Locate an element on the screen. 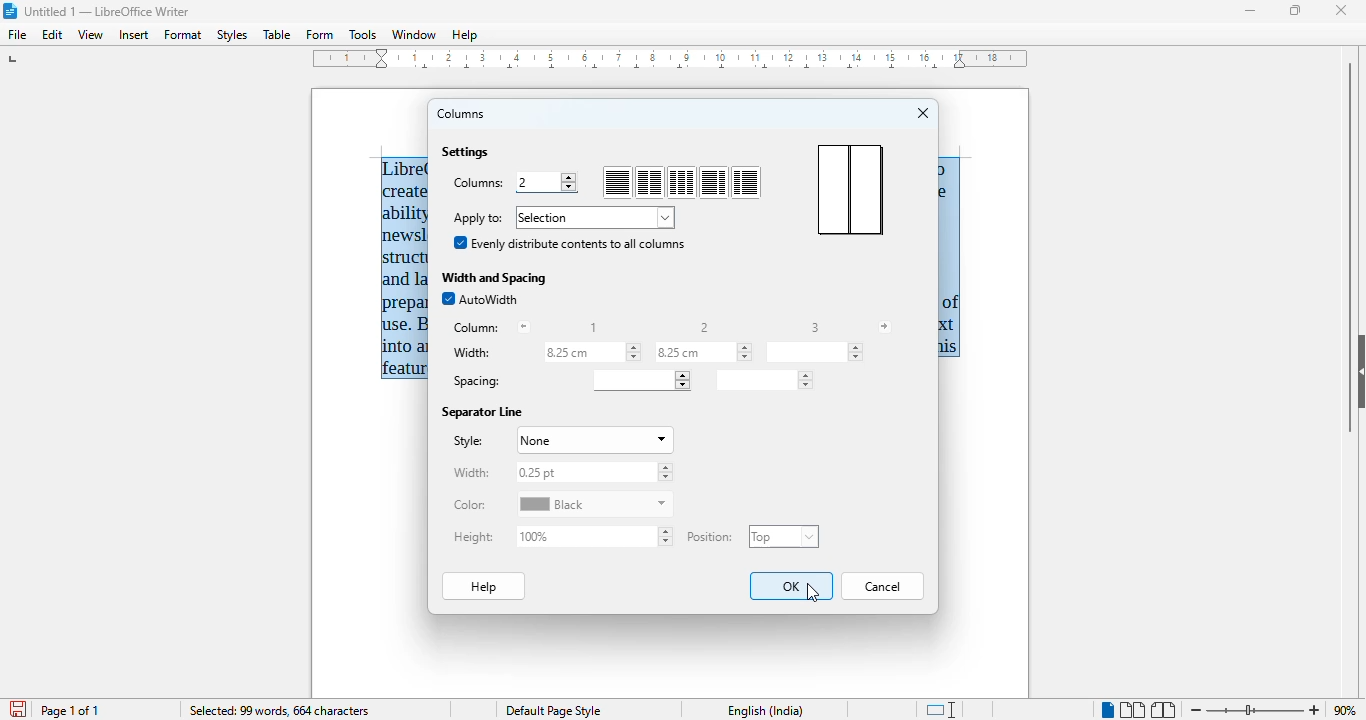 This screenshot has height=720, width=1366. insert is located at coordinates (133, 35).